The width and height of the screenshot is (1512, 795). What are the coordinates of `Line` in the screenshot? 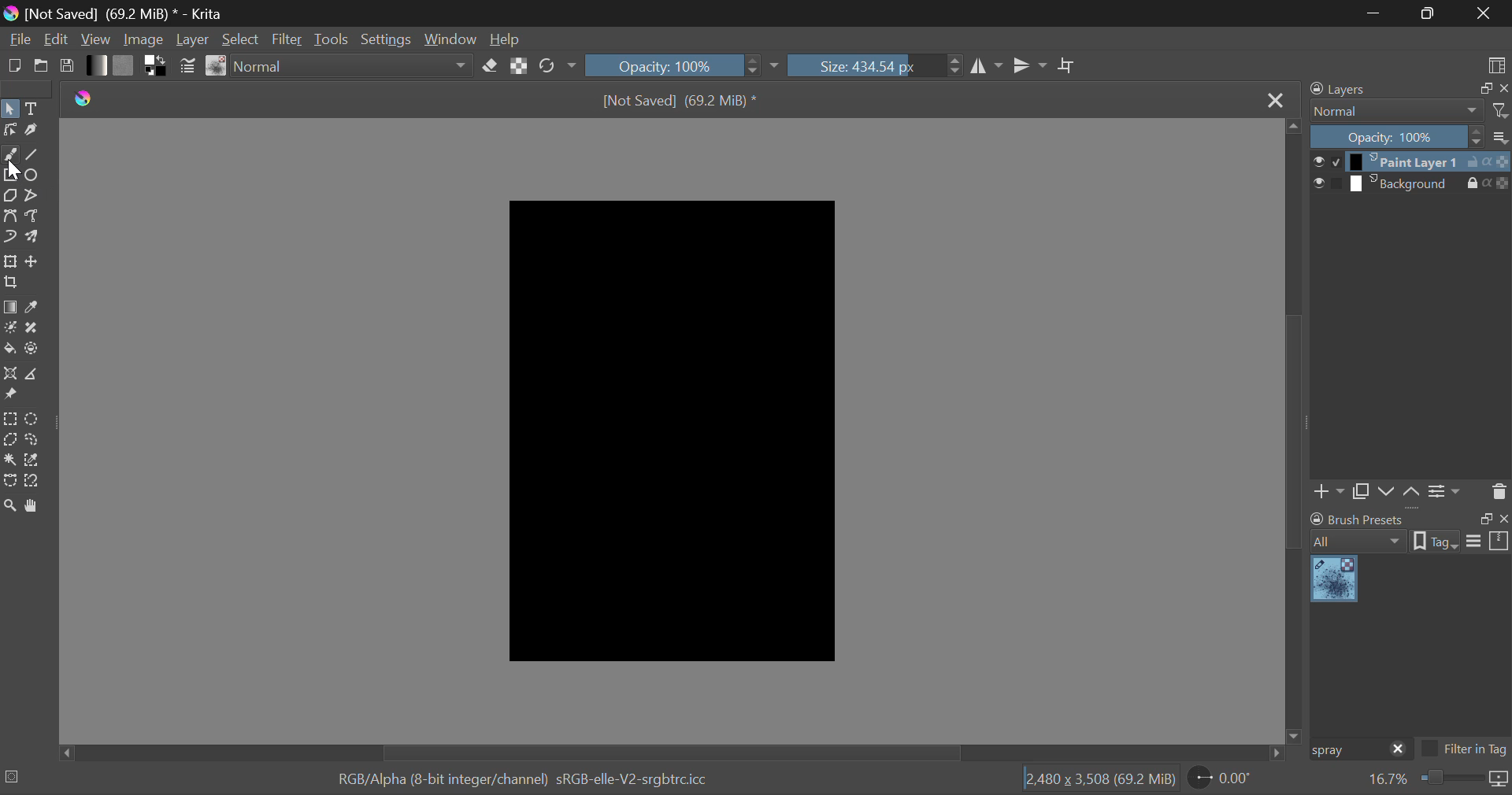 It's located at (32, 156).